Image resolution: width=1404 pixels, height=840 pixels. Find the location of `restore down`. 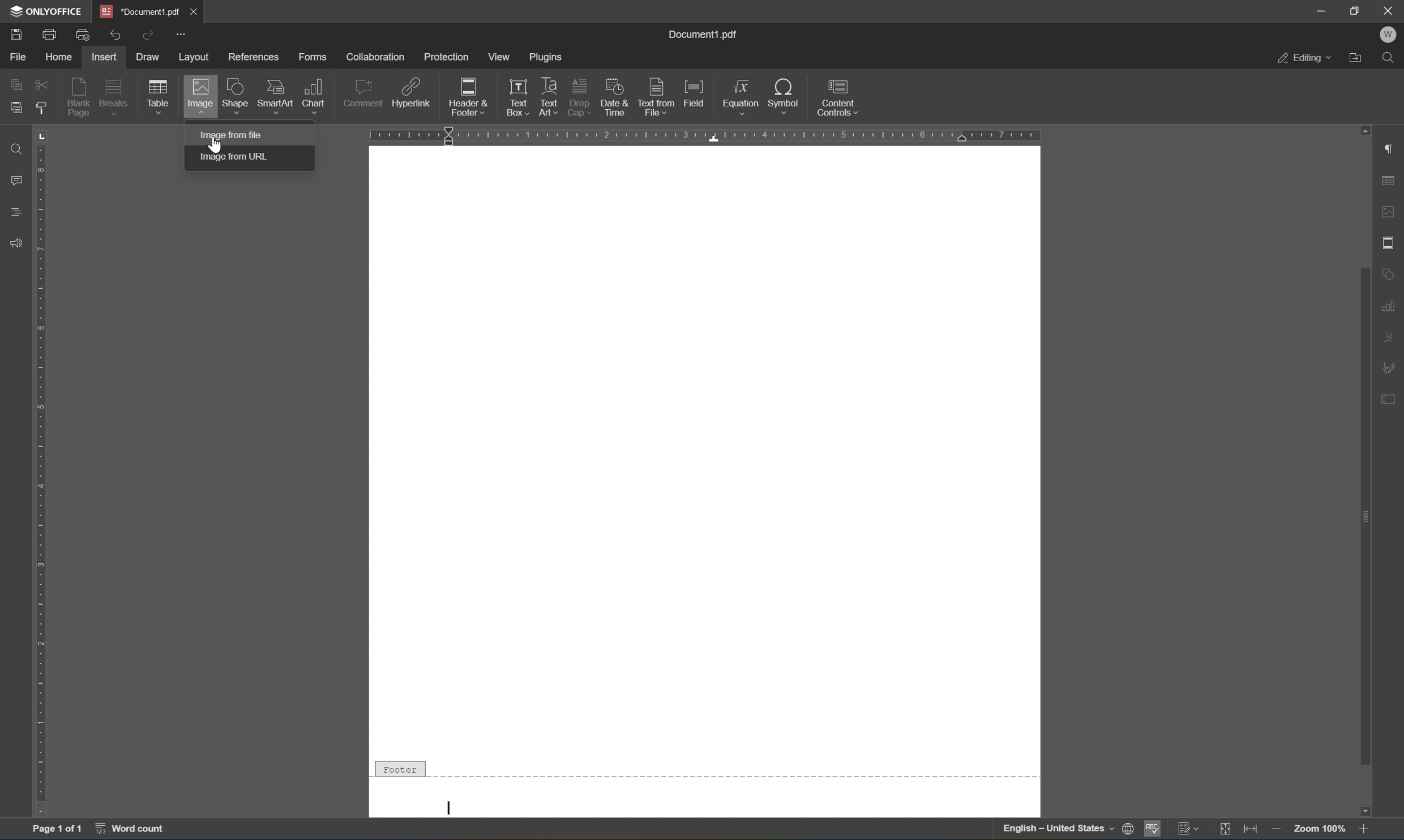

restore down is located at coordinates (1358, 11).